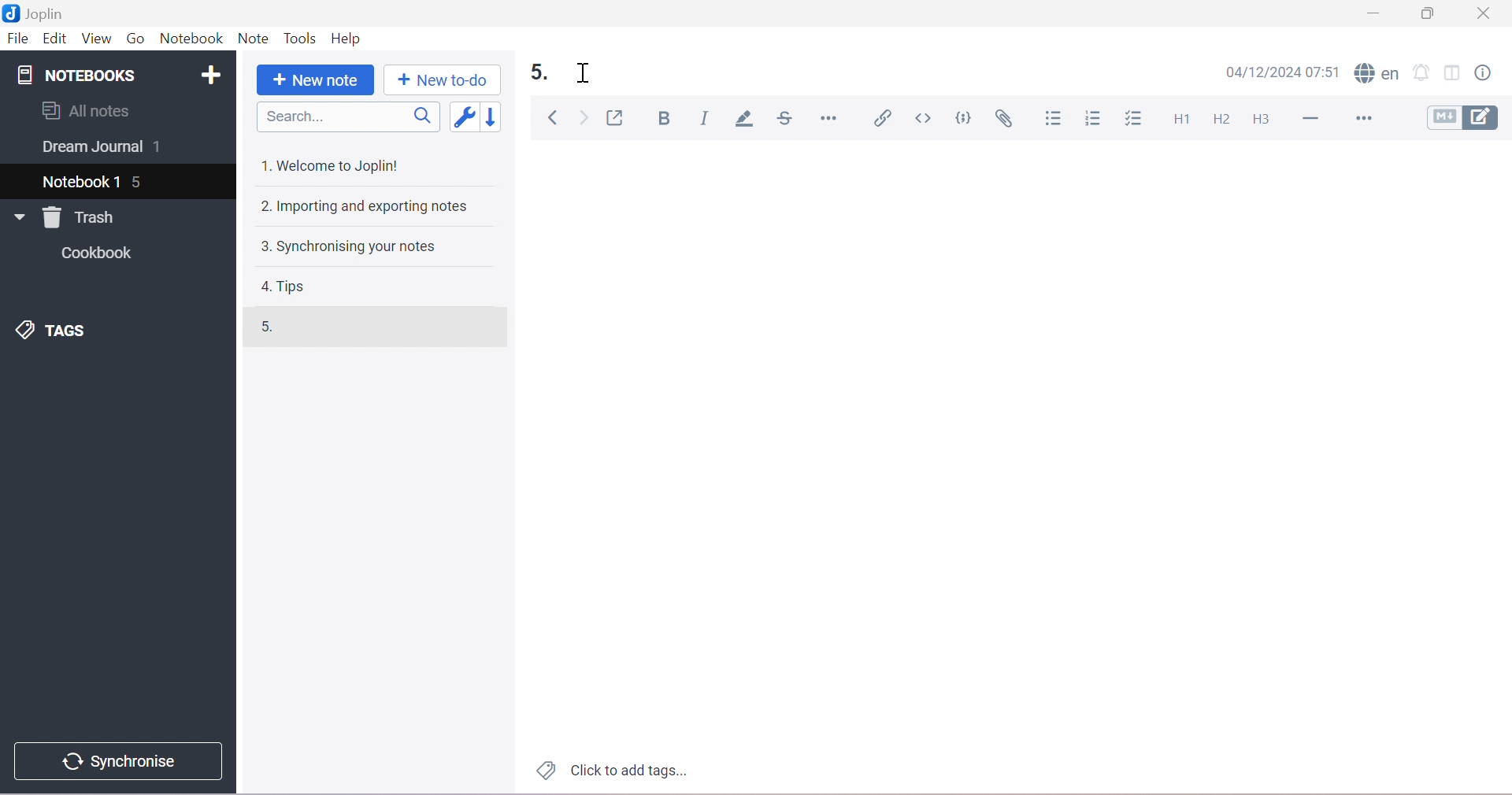  Describe the element at coordinates (346, 37) in the screenshot. I see `Help` at that location.